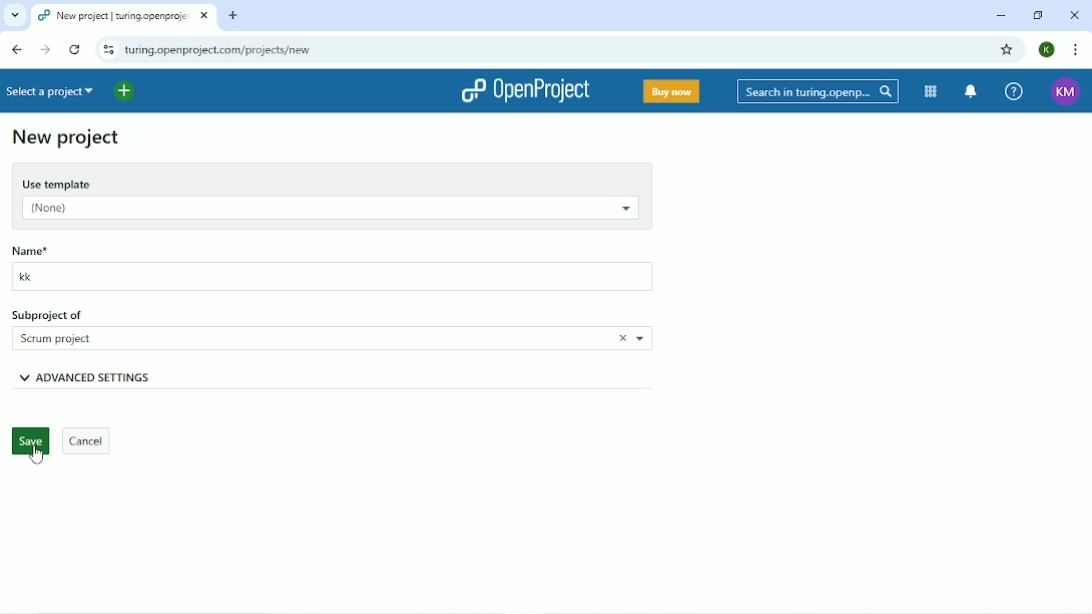 This screenshot has height=614, width=1092. Describe the element at coordinates (1048, 50) in the screenshot. I see `K` at that location.